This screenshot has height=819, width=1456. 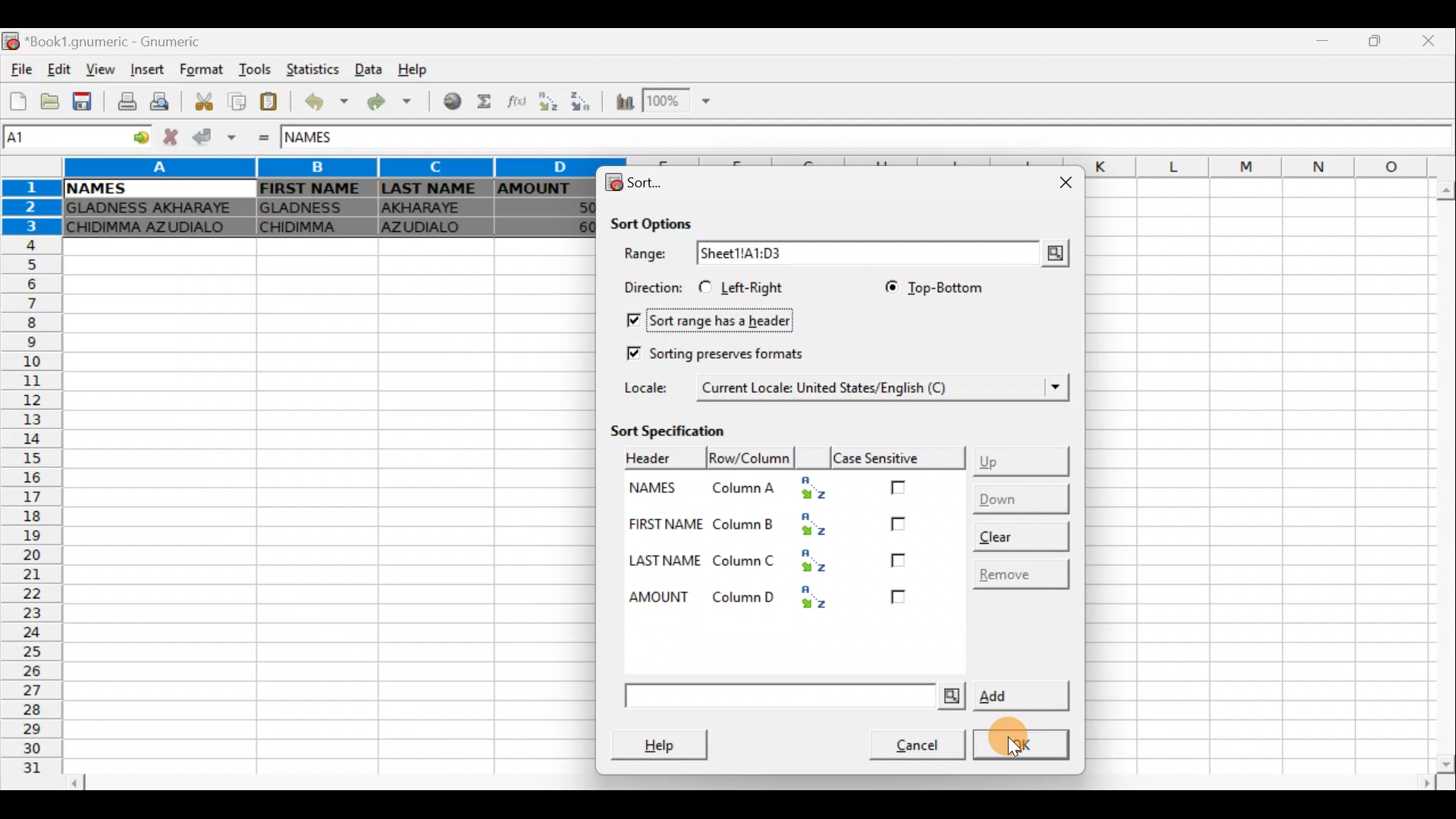 I want to click on Edit, so click(x=61, y=71).